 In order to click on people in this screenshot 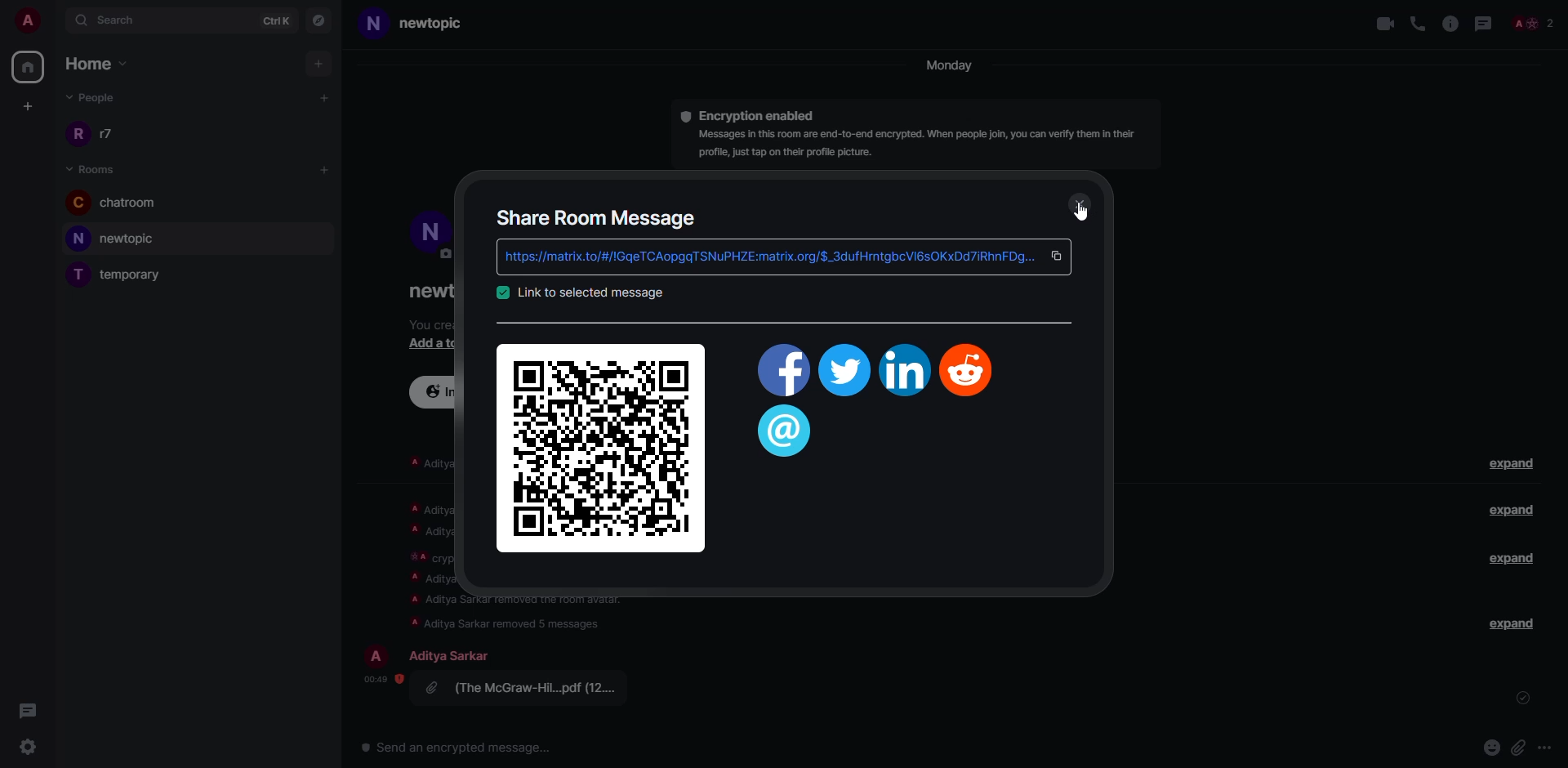, I will do `click(100, 100)`.